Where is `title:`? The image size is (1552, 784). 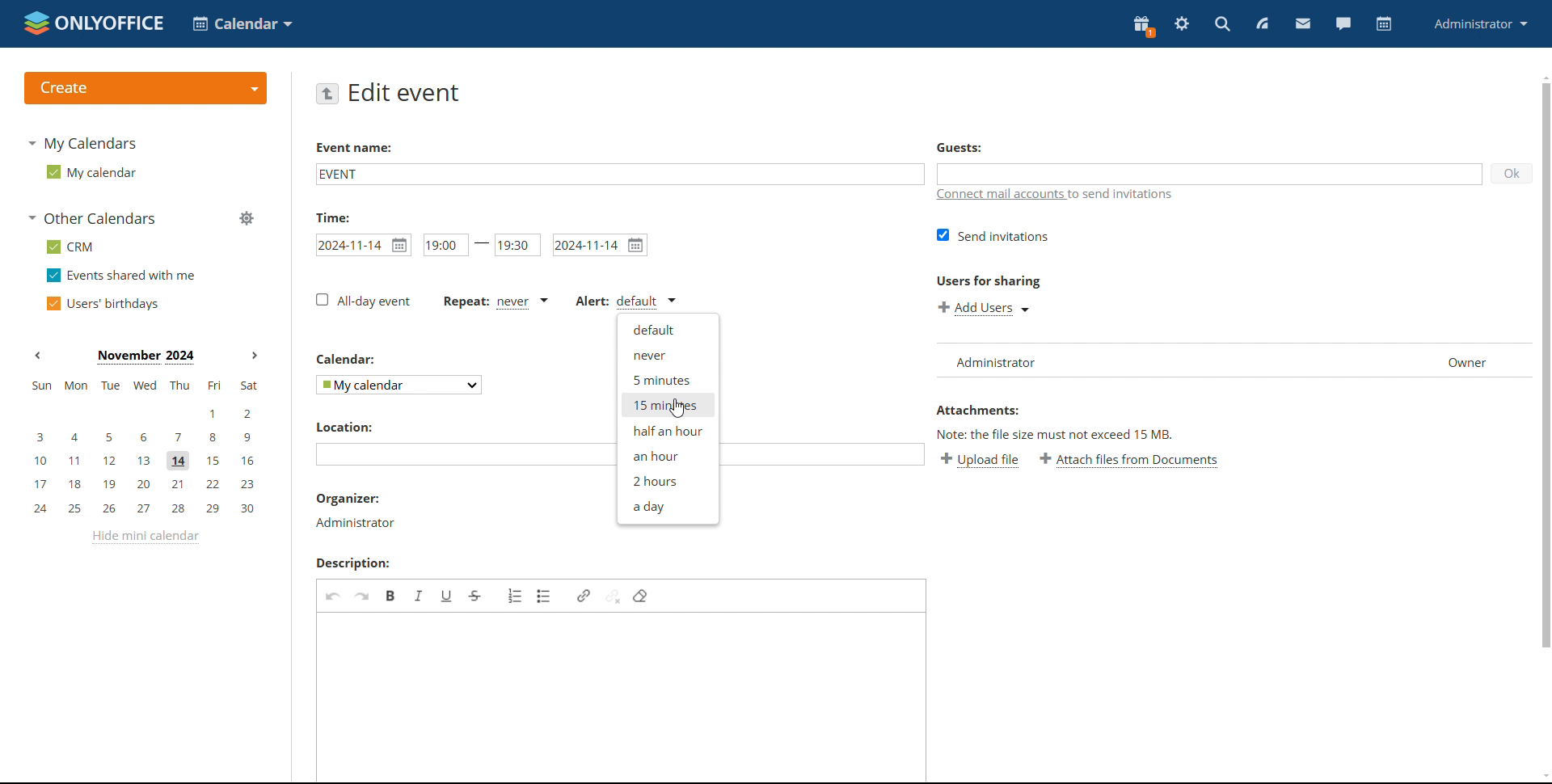 title: is located at coordinates (339, 217).